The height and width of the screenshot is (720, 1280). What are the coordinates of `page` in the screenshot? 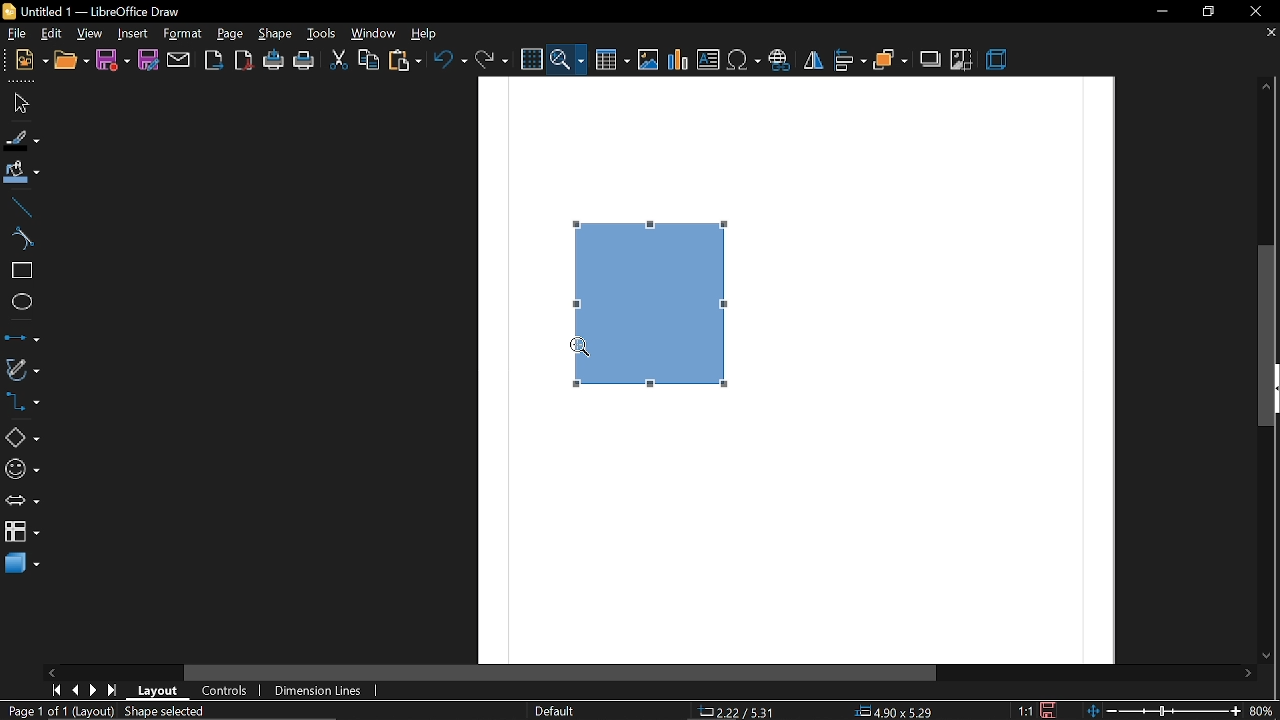 It's located at (231, 34).